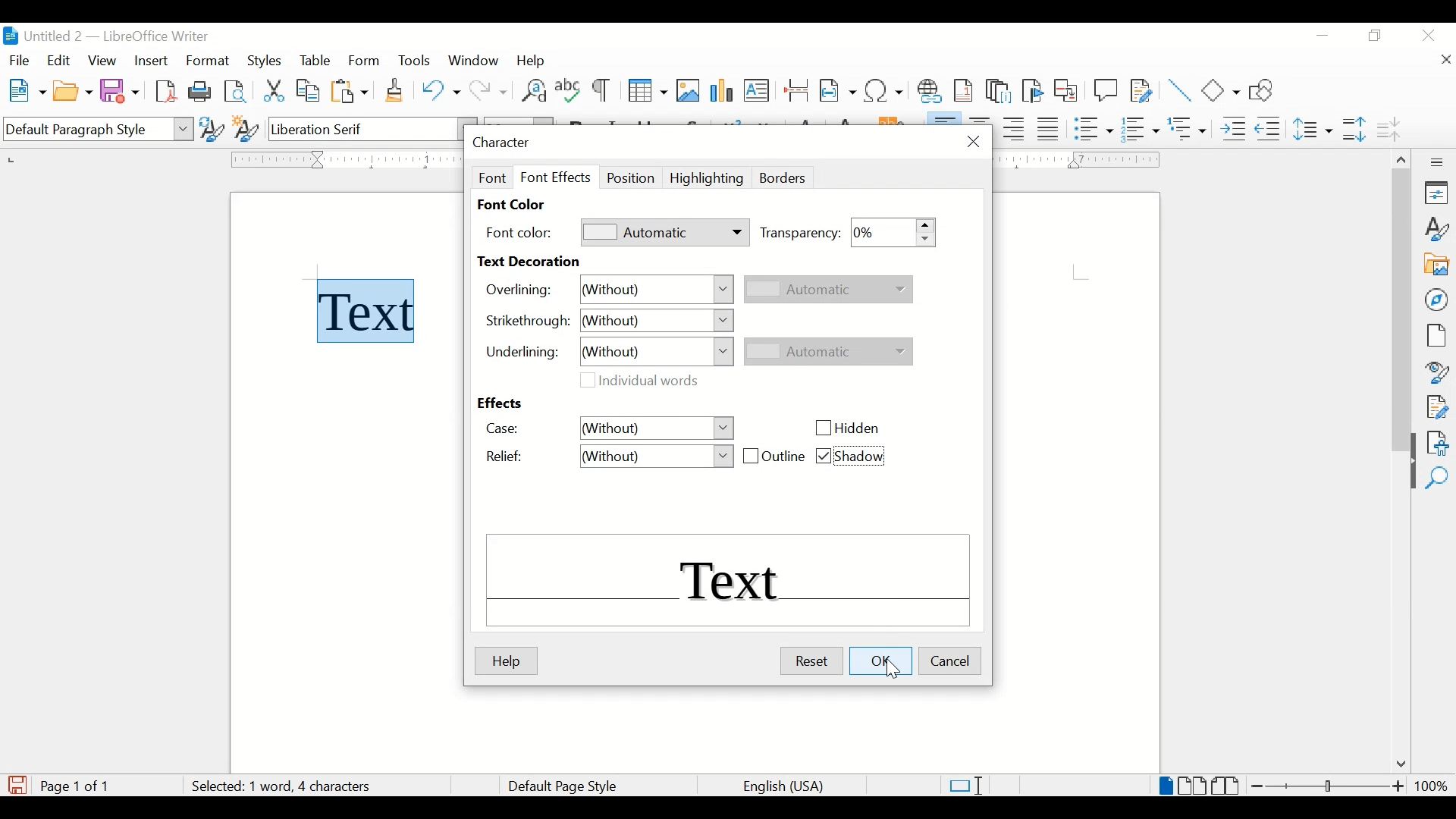 The image size is (1456, 819). What do you see at coordinates (1401, 312) in the screenshot?
I see `scroll box` at bounding box center [1401, 312].